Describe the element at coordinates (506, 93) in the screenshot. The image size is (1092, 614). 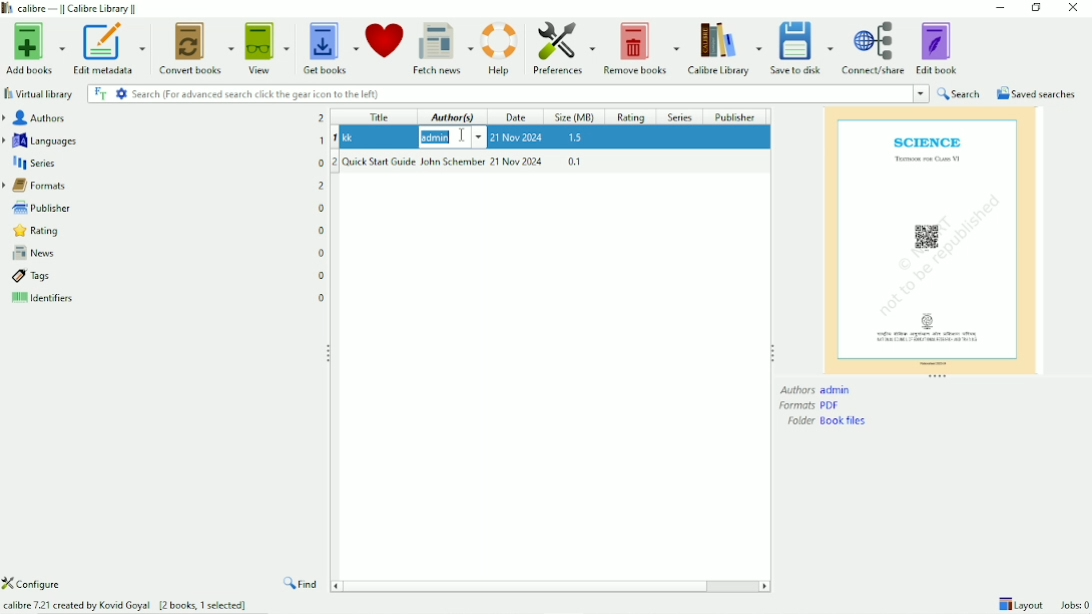
I see `Search` at that location.